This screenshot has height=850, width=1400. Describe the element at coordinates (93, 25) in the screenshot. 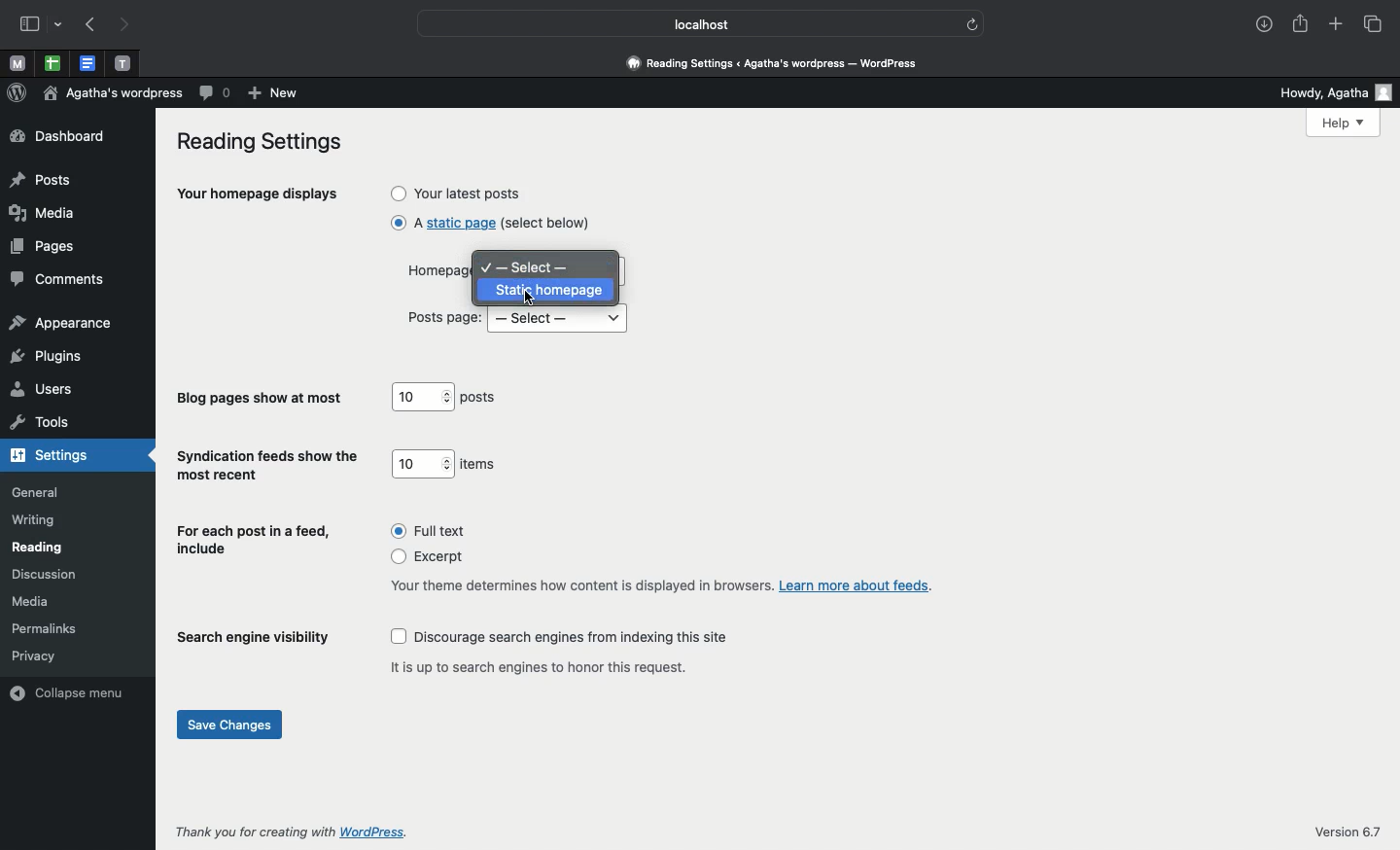

I see `Previous page` at that location.